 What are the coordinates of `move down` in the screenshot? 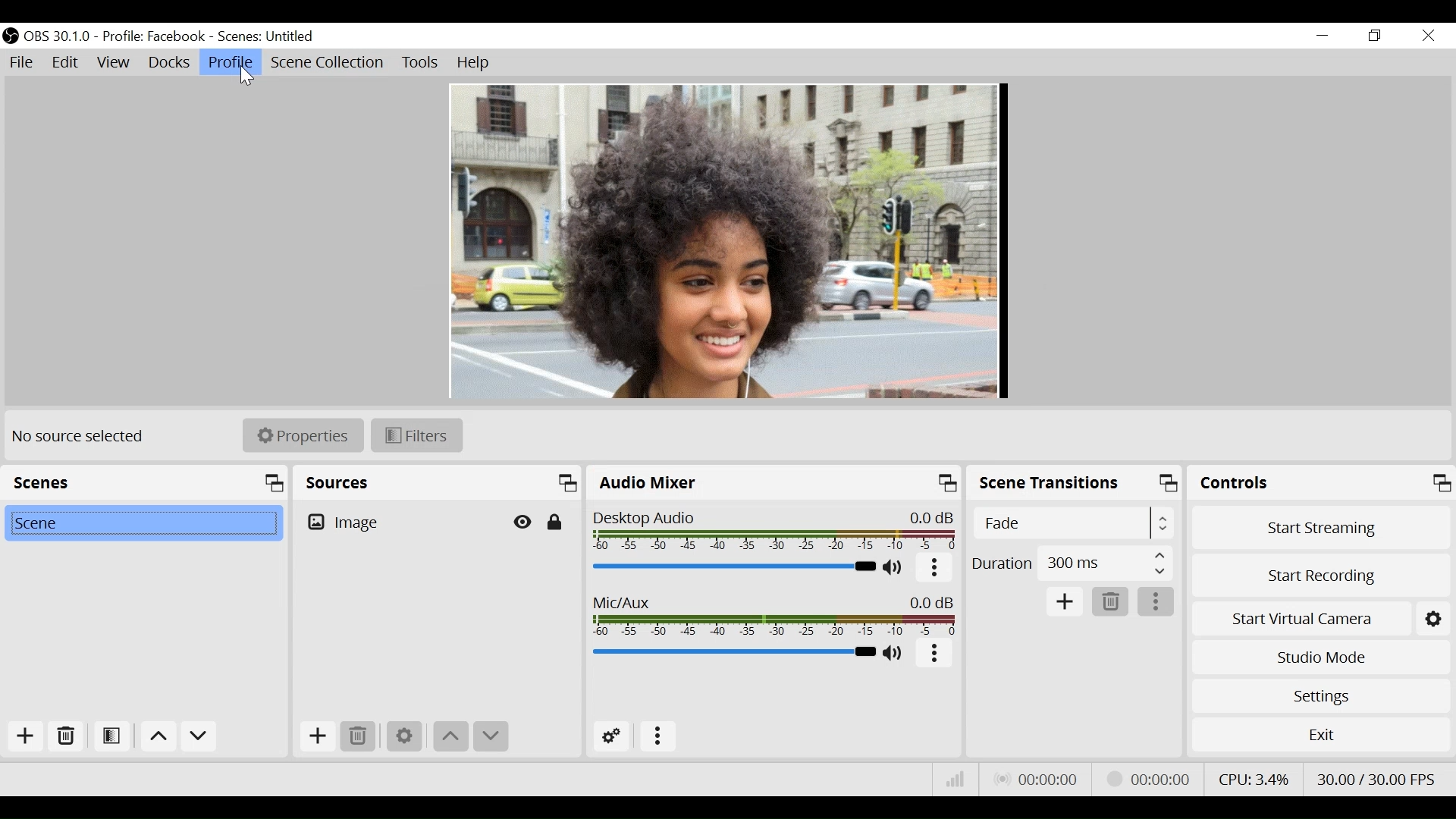 It's located at (199, 737).